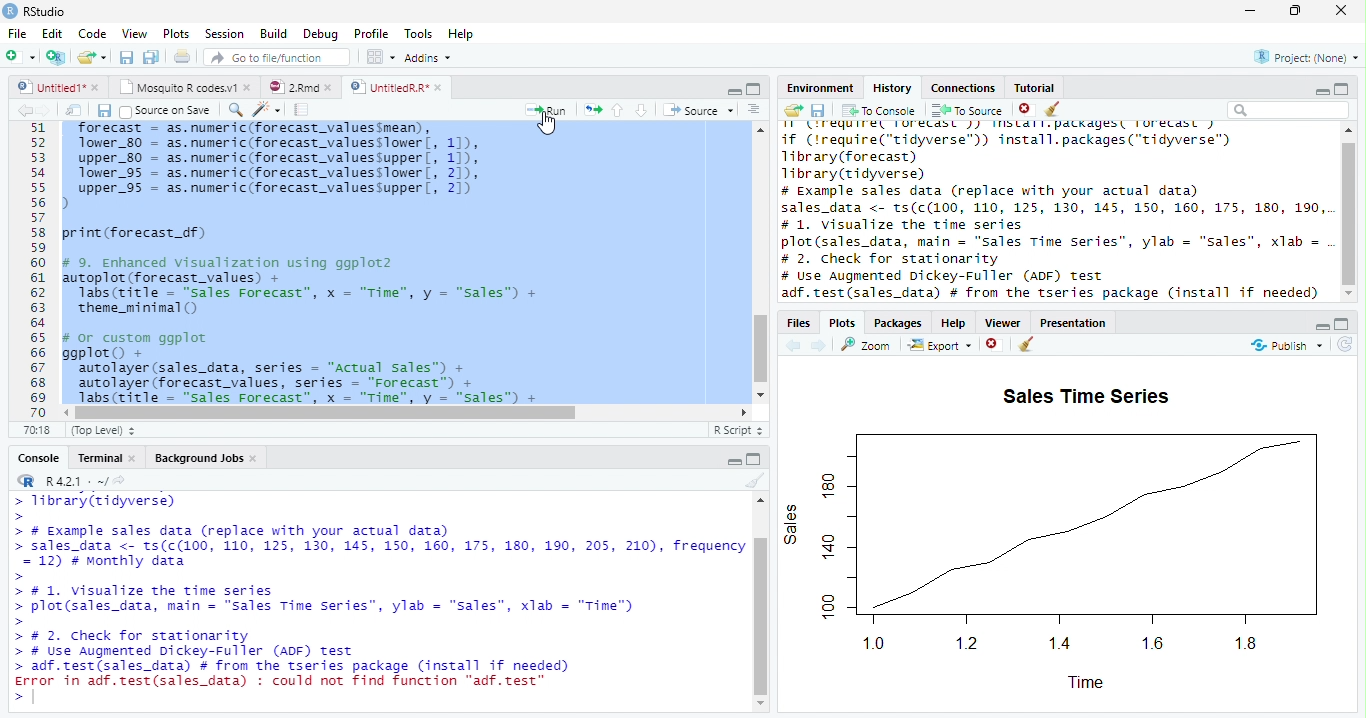 The image size is (1366, 718). I want to click on Open Folder, so click(793, 111).